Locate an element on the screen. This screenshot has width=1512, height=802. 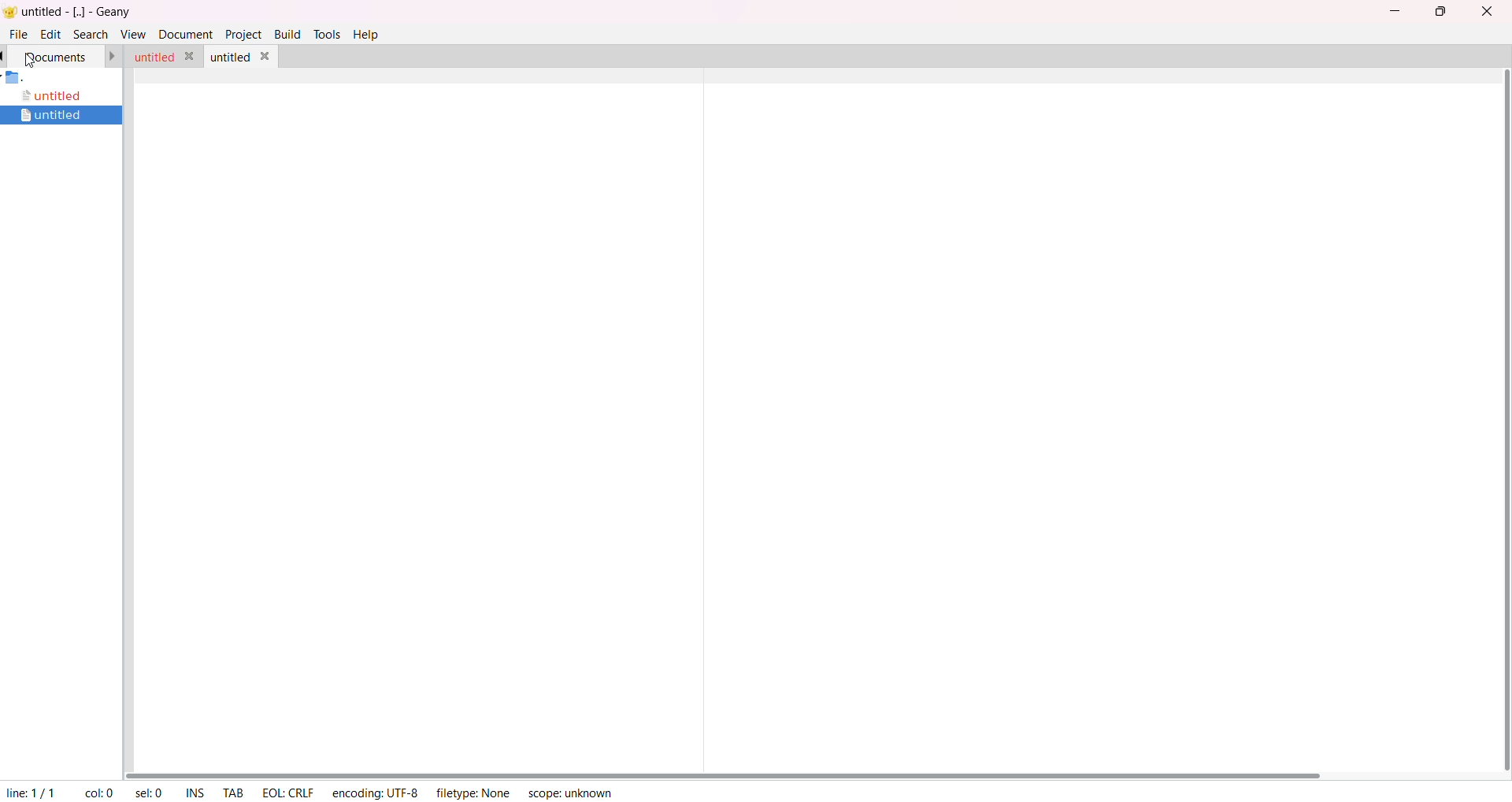
close is located at coordinates (188, 59).